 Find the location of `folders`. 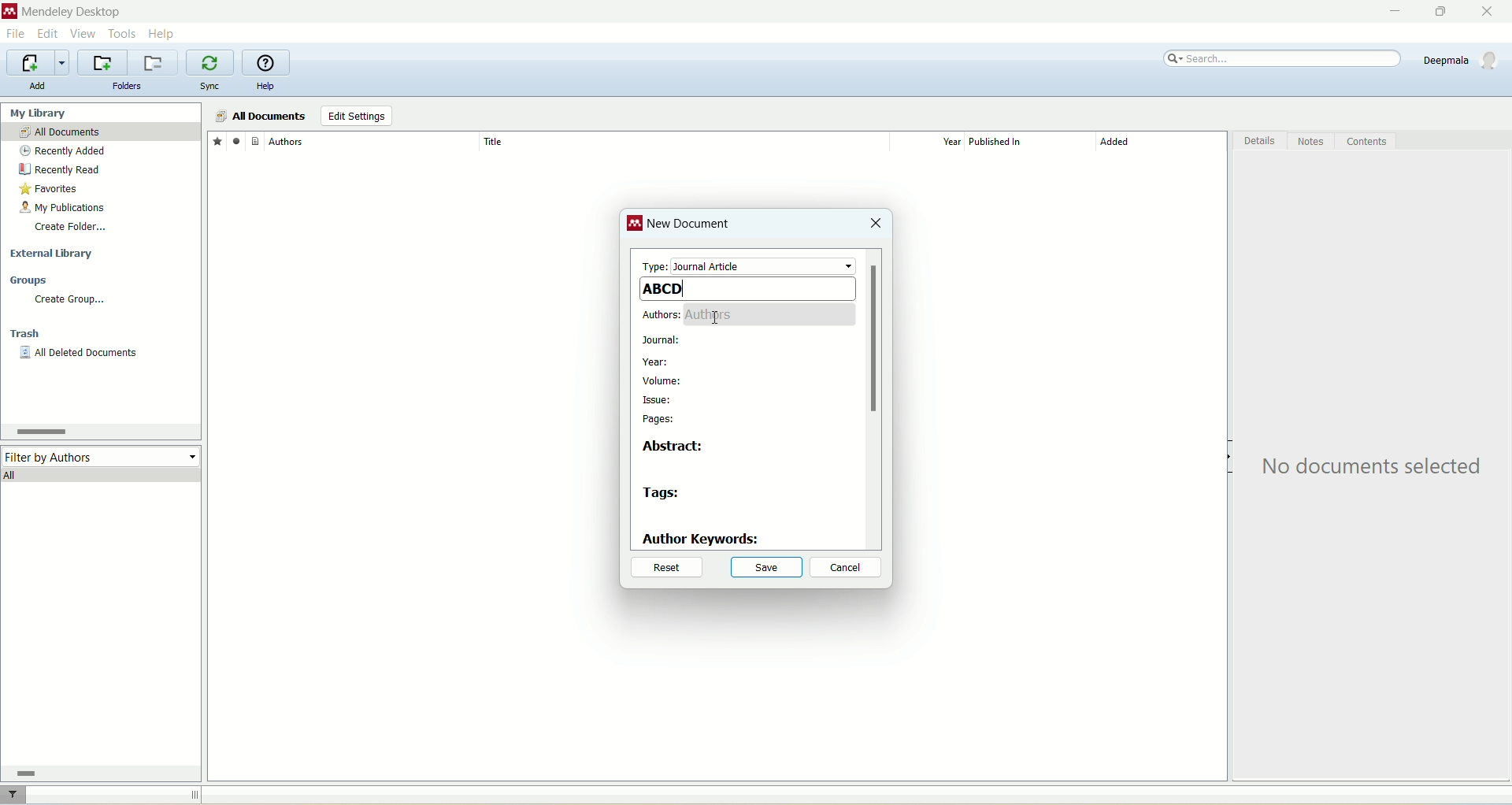

folders is located at coordinates (128, 87).